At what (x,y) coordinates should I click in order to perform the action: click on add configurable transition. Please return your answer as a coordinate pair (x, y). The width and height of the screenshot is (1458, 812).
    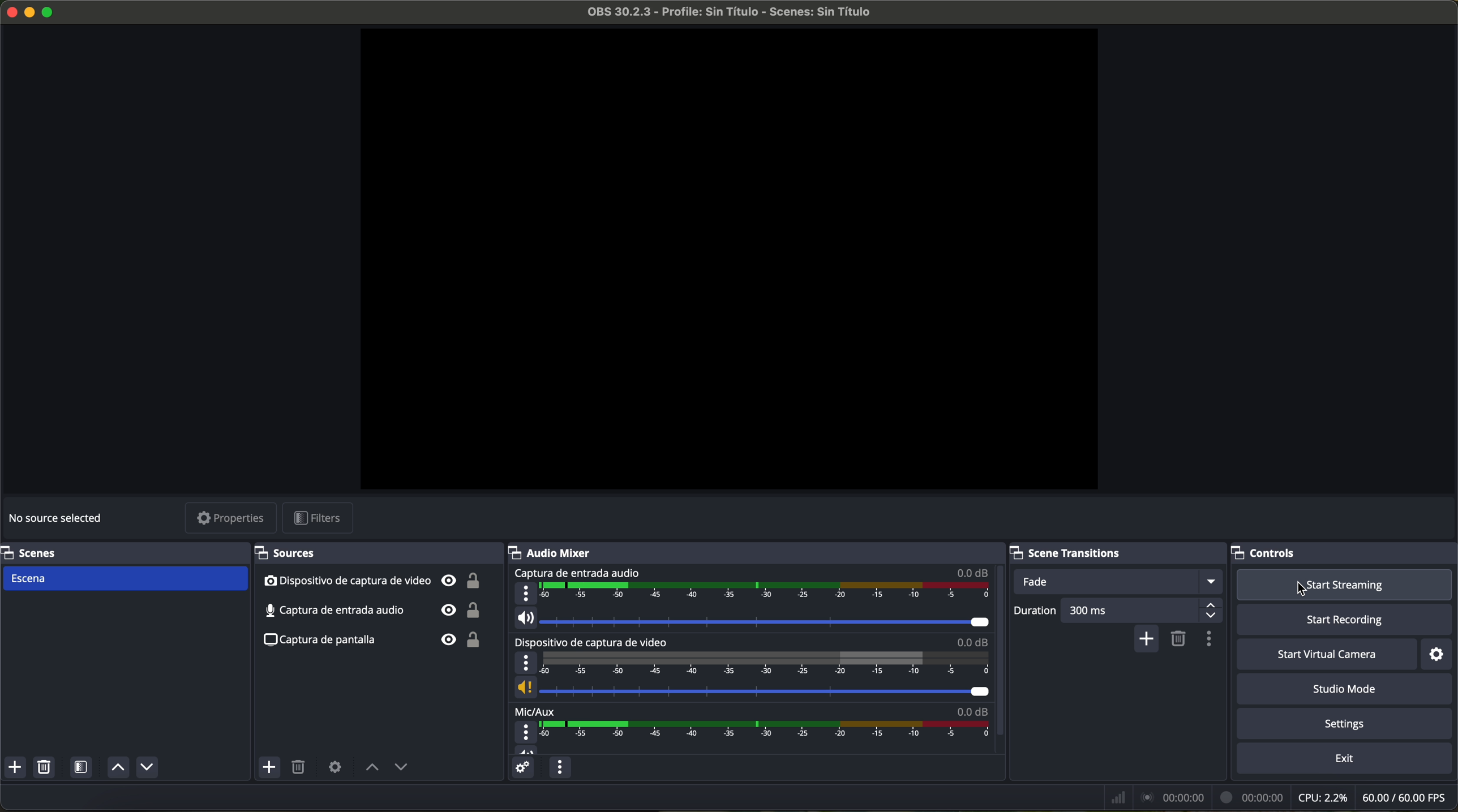
    Looking at the image, I should click on (1148, 639).